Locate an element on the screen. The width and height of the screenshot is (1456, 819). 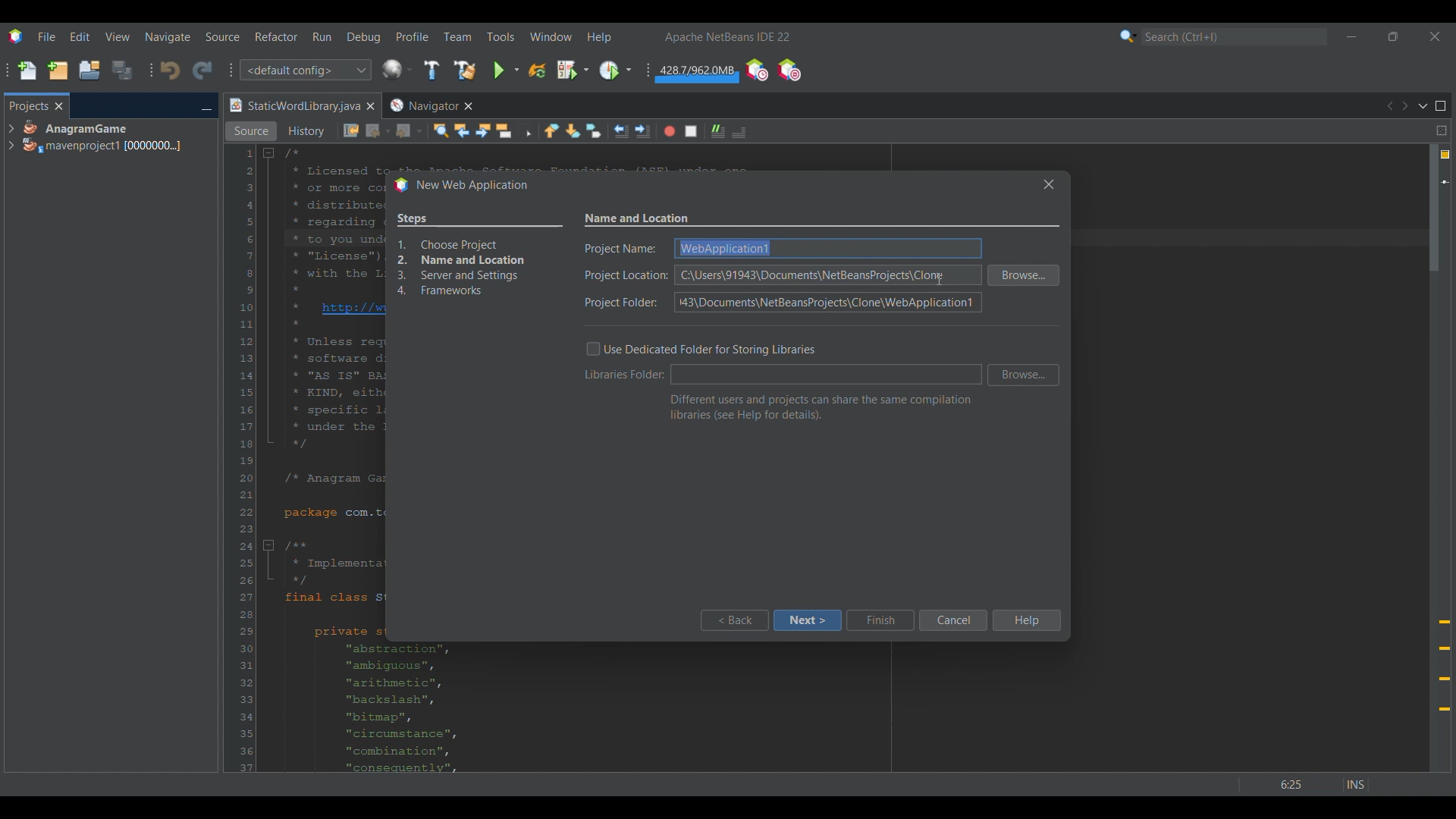
Run main project options is located at coordinates (507, 70).